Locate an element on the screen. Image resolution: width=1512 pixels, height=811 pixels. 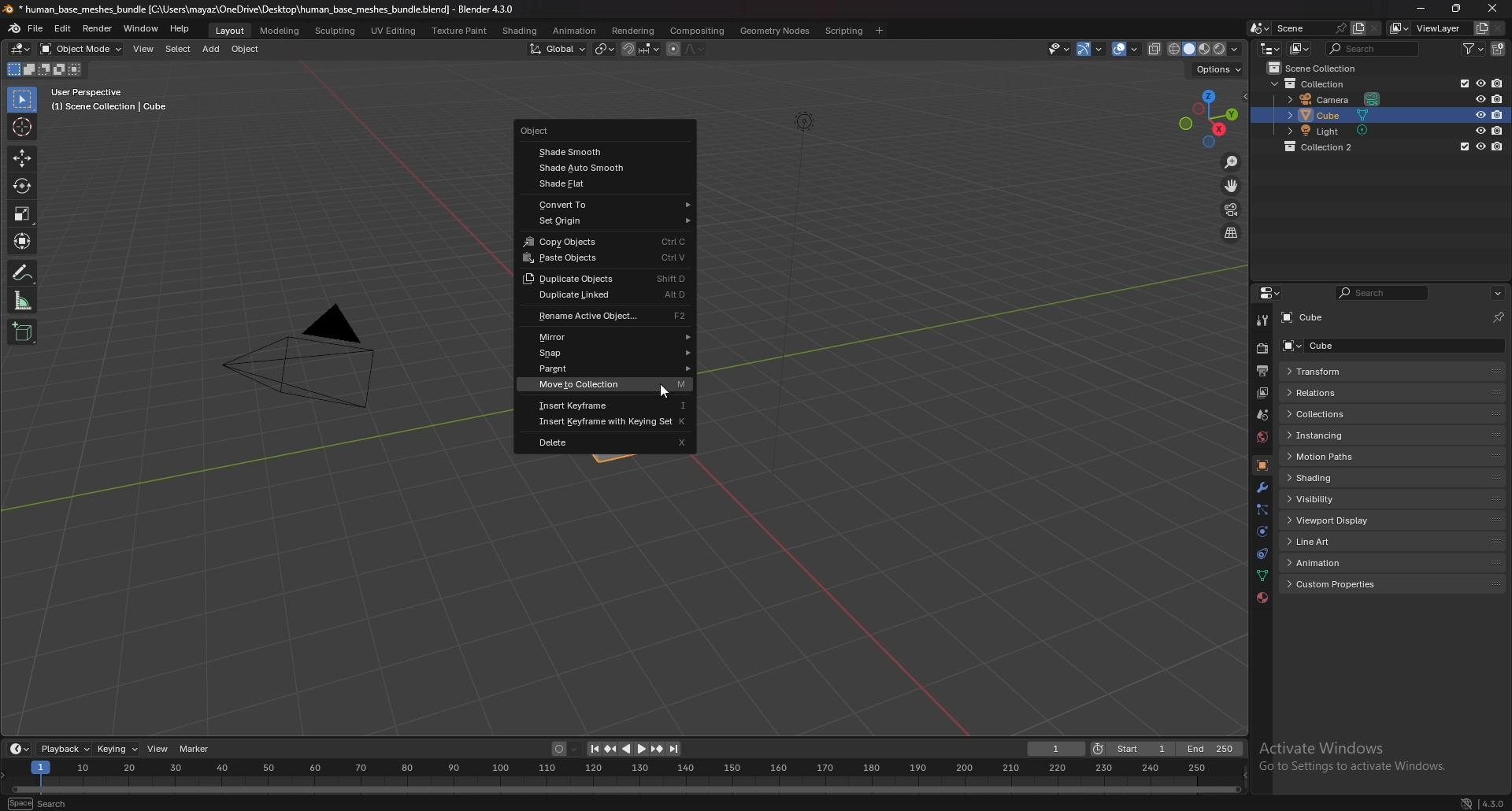
material is located at coordinates (1262, 597).